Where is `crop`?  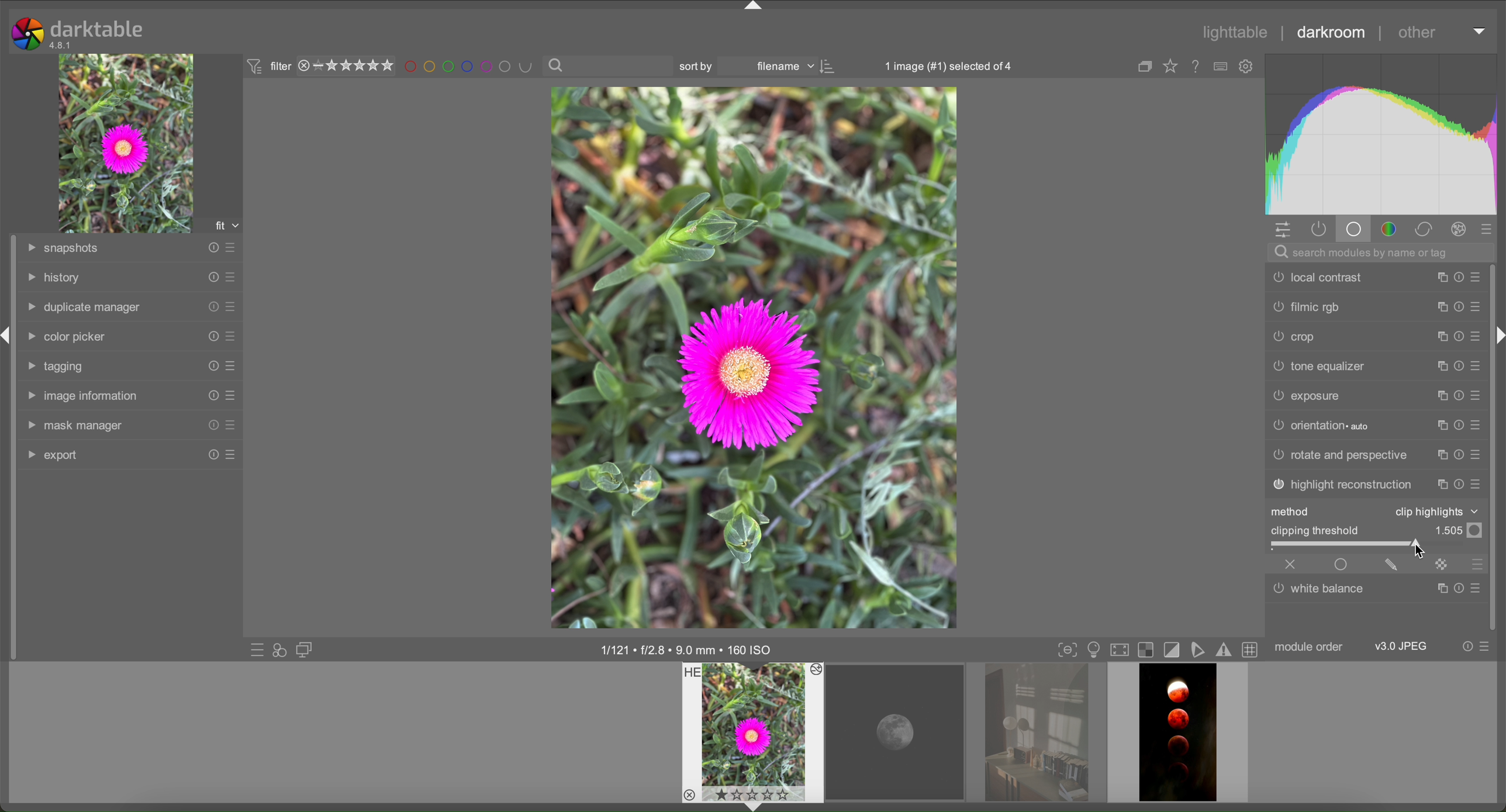 crop is located at coordinates (1296, 336).